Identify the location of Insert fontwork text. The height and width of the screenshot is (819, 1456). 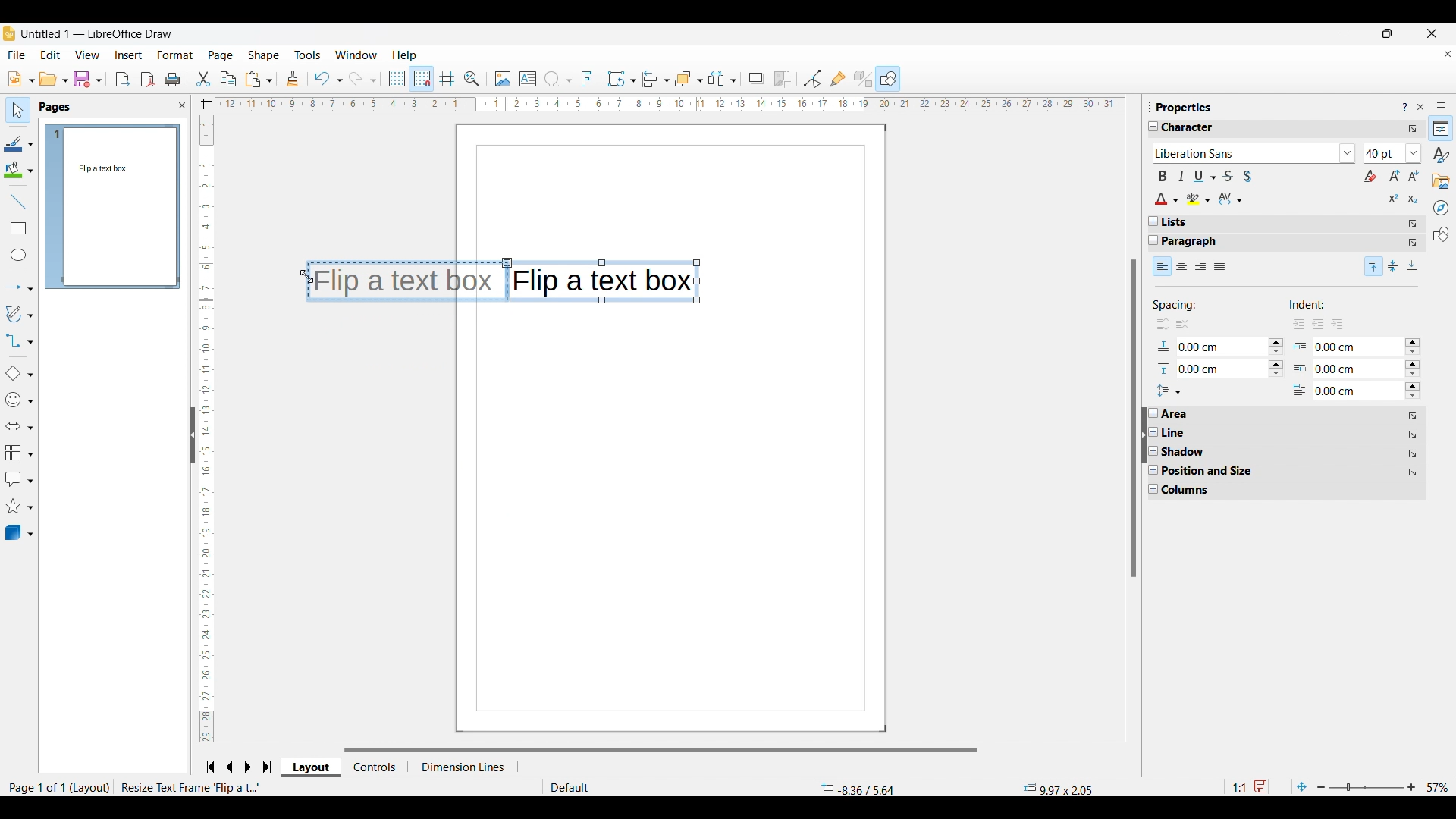
(587, 79).